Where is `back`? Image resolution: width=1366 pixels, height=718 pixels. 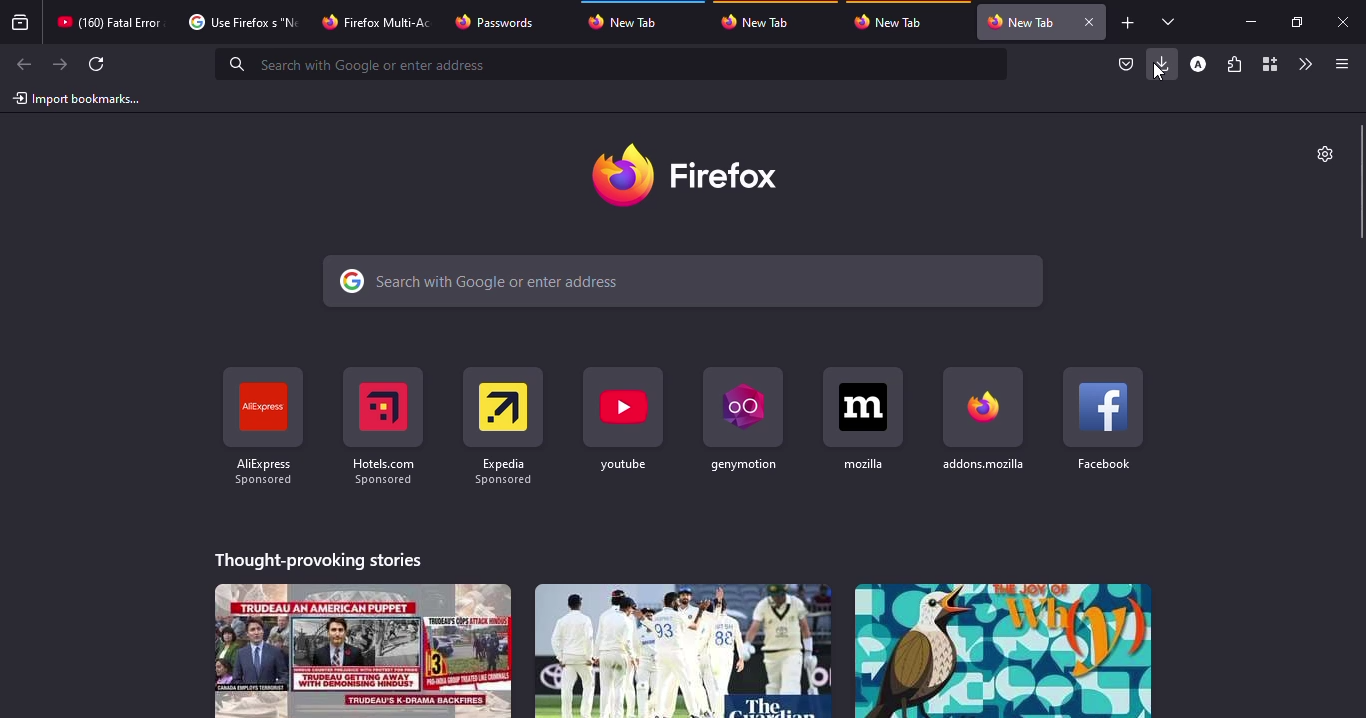
back is located at coordinates (21, 65).